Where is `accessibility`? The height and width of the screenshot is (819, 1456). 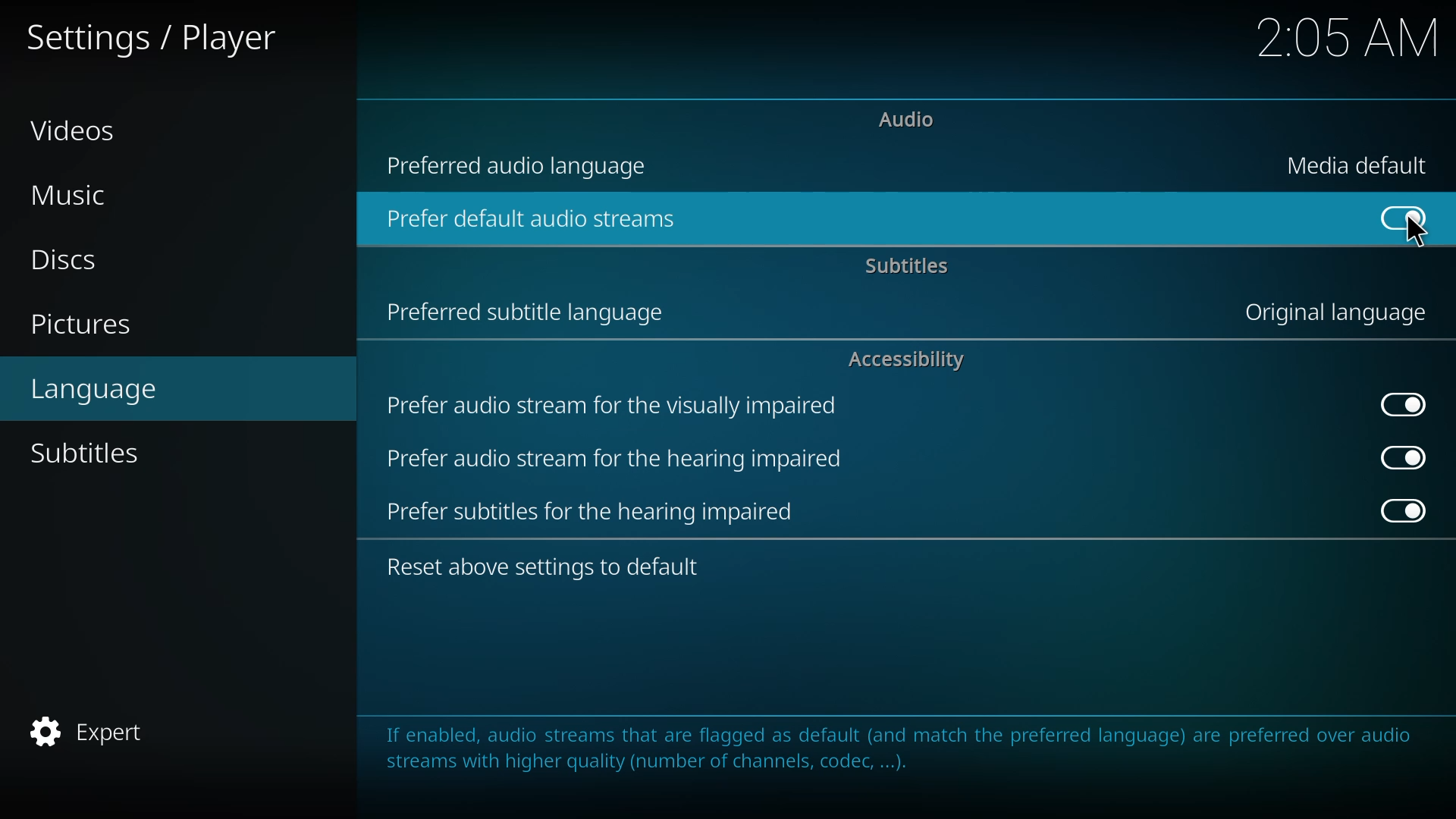
accessibility is located at coordinates (907, 359).